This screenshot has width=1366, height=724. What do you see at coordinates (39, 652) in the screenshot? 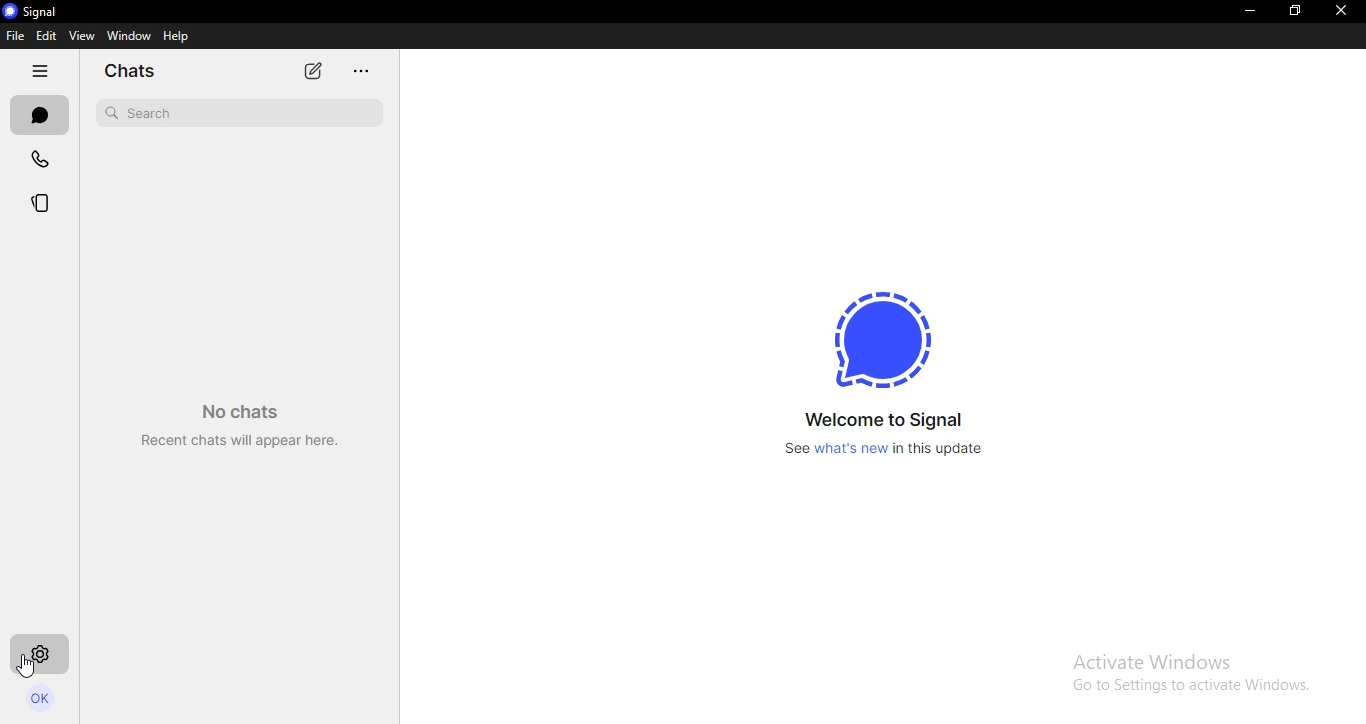
I see `settings` at bounding box center [39, 652].